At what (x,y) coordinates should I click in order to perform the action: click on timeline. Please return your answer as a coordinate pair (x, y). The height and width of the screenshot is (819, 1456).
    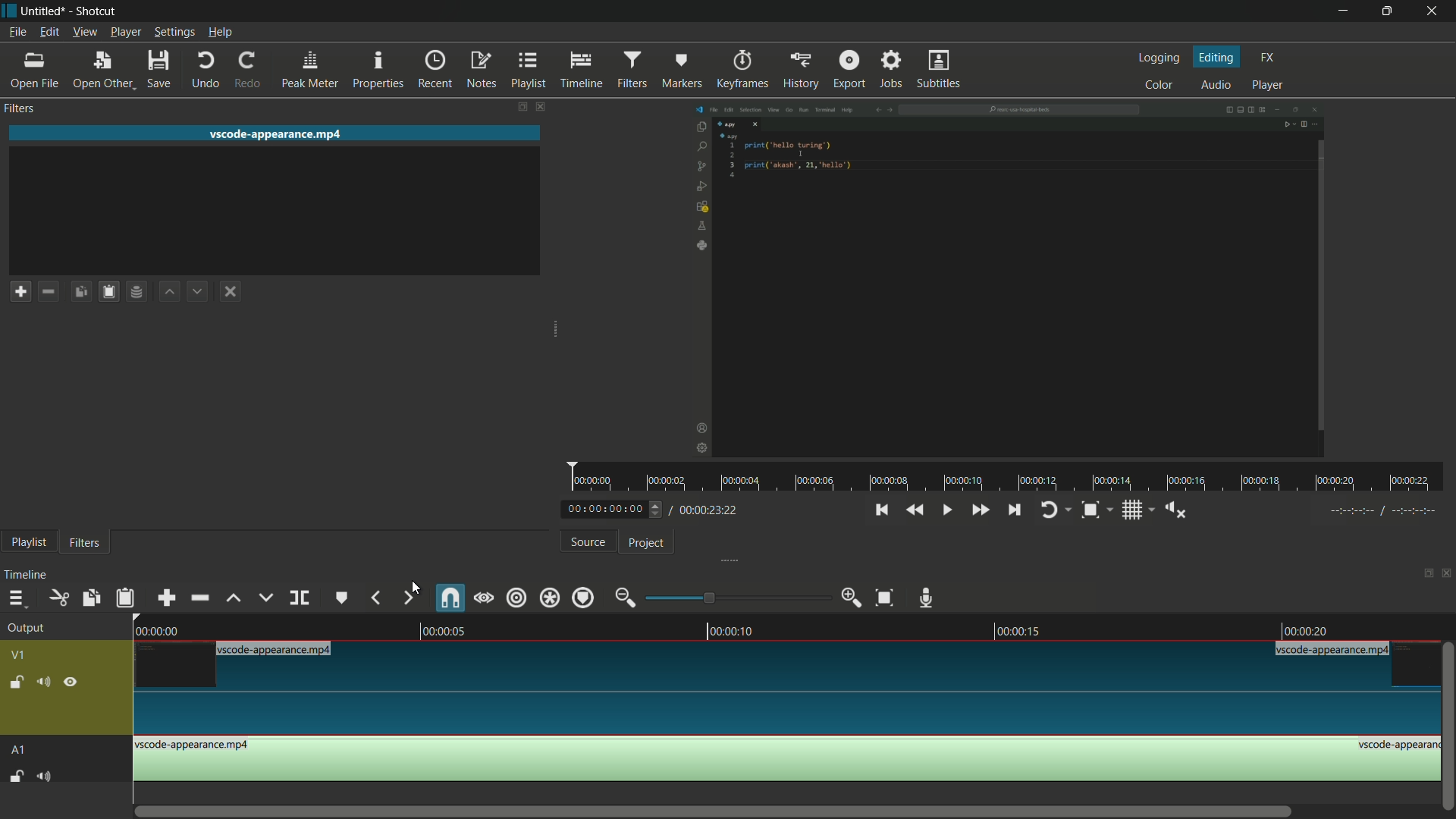
    Looking at the image, I should click on (789, 628).